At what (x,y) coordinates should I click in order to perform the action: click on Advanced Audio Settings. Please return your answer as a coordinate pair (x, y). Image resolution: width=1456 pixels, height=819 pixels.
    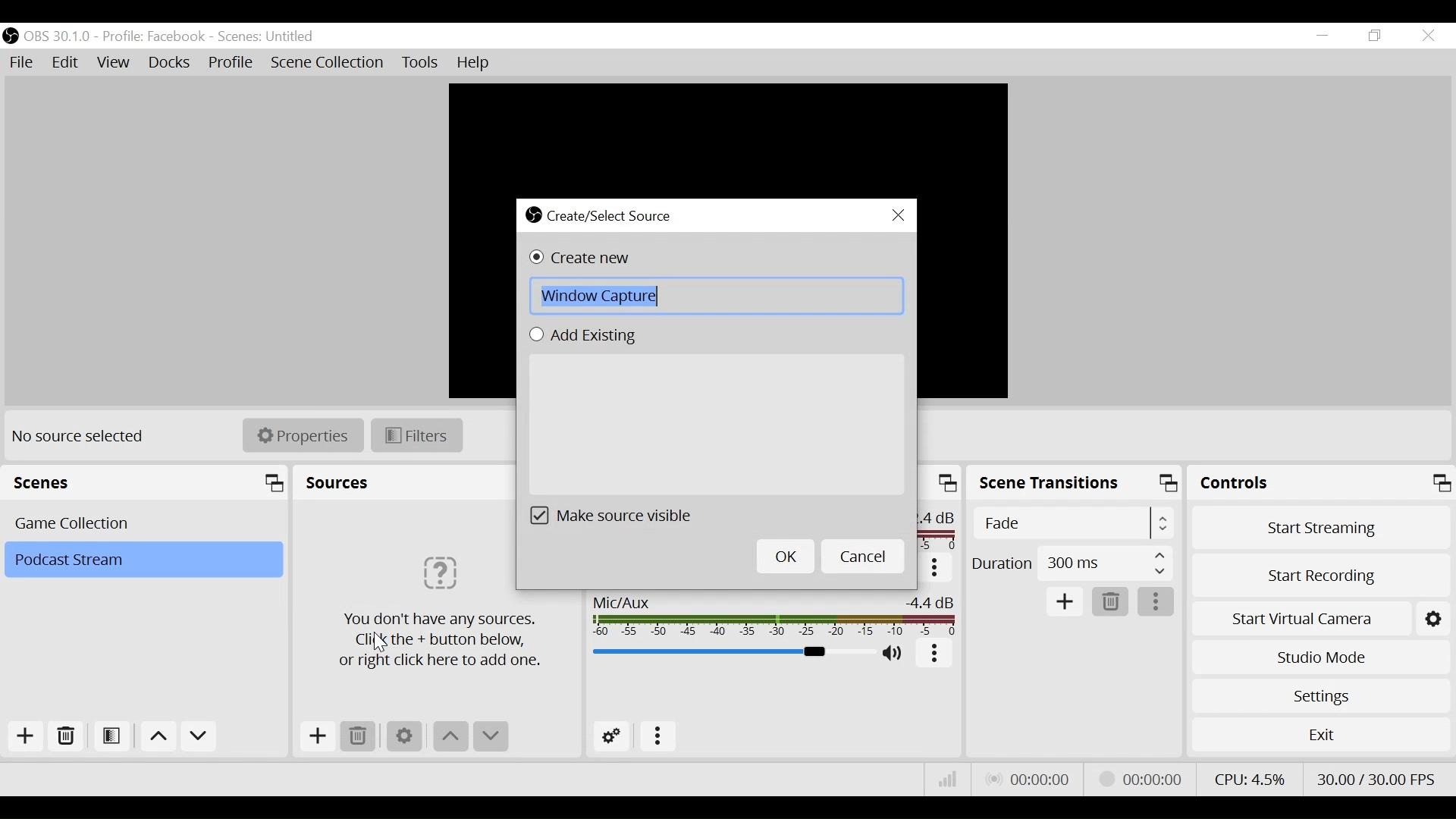
    Looking at the image, I should click on (613, 736).